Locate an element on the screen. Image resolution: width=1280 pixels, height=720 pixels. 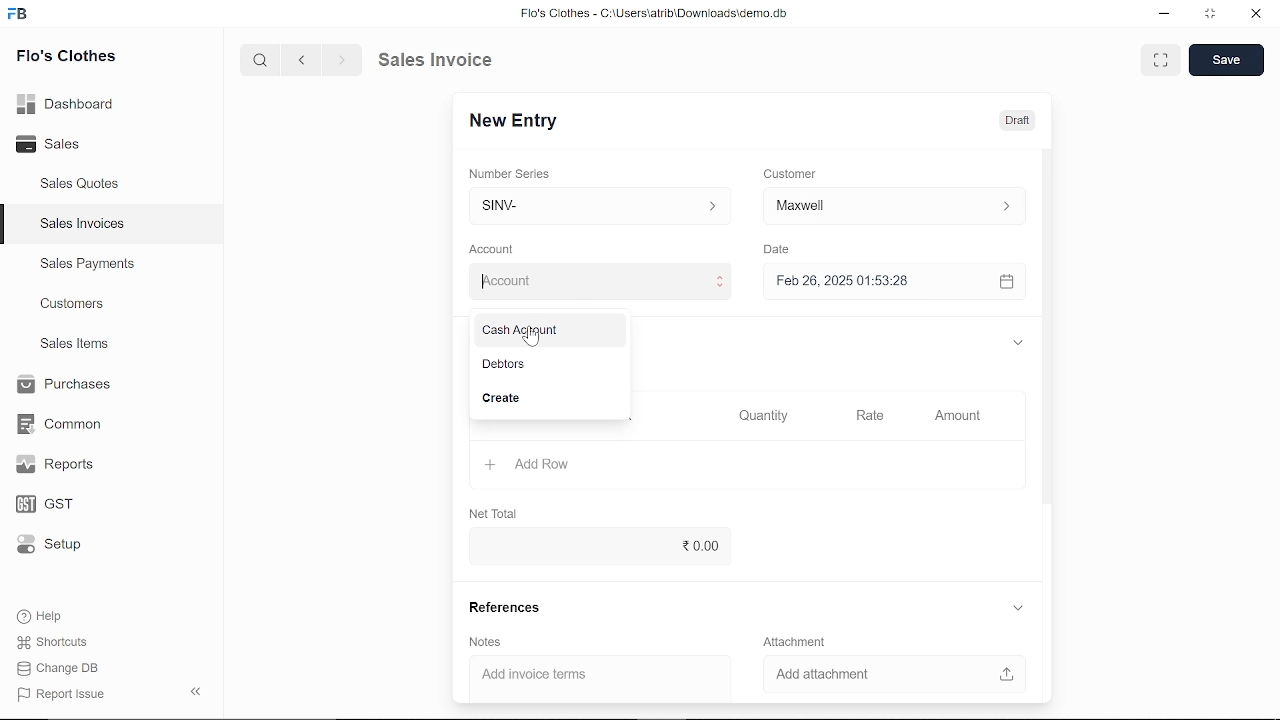
Account is located at coordinates (497, 250).